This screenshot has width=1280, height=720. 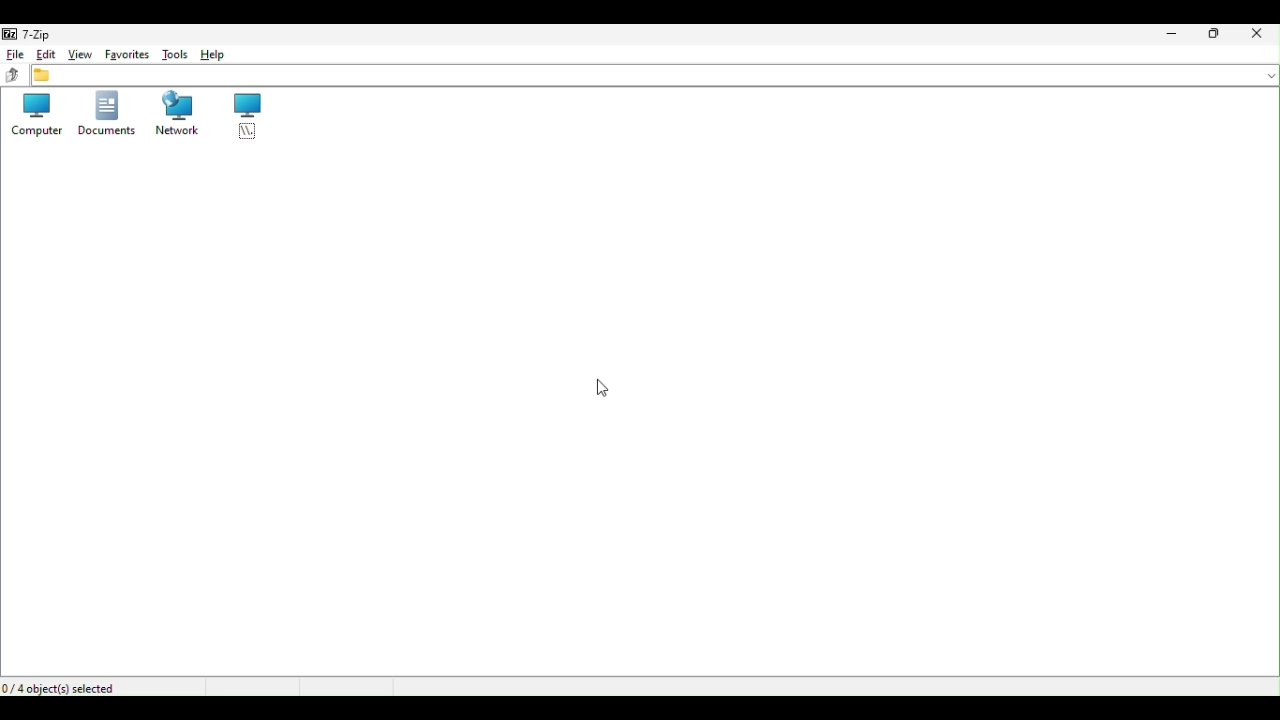 What do you see at coordinates (176, 55) in the screenshot?
I see `Tools` at bounding box center [176, 55].